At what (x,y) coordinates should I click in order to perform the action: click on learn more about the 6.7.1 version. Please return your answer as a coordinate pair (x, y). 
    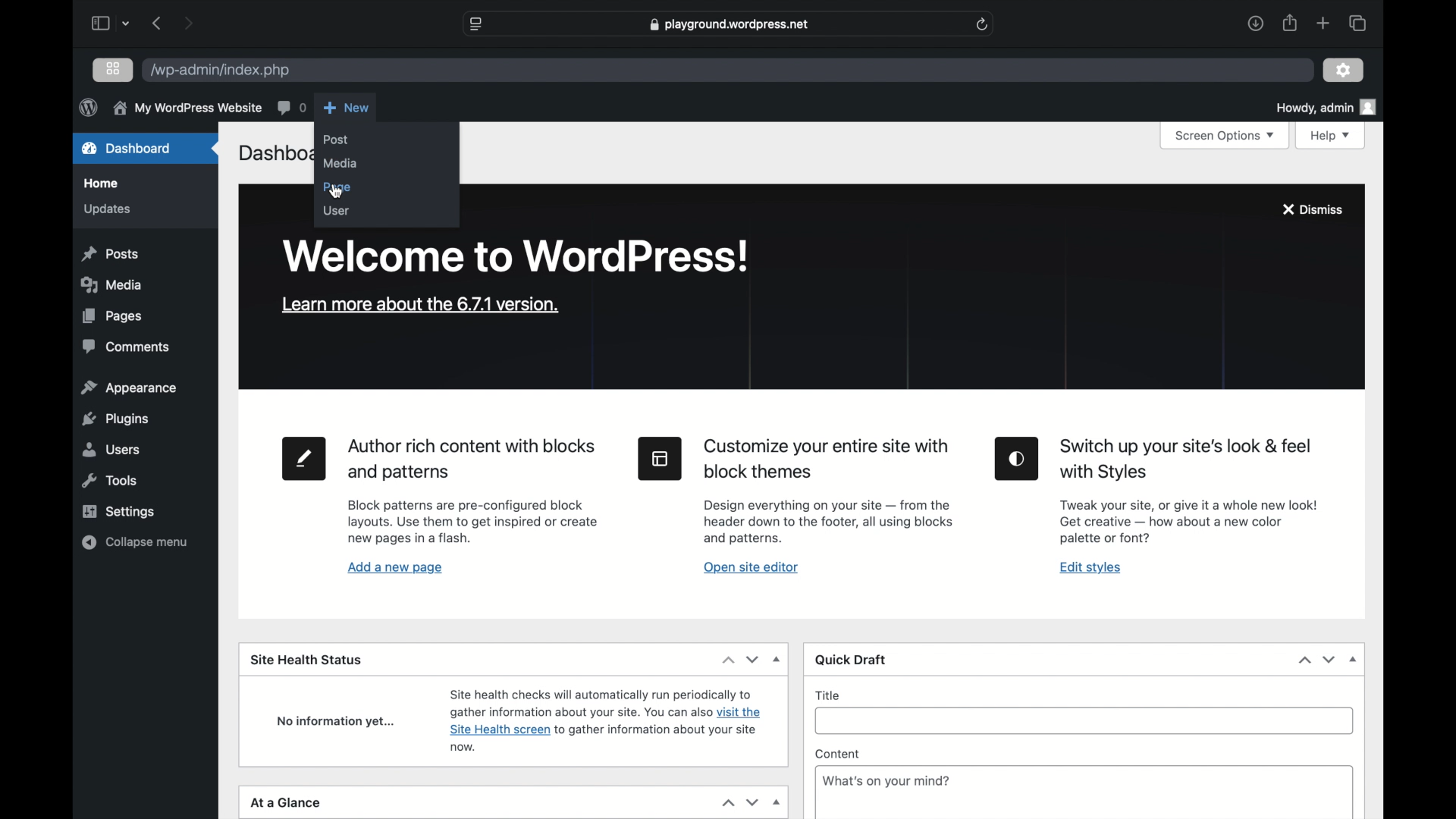
    Looking at the image, I should click on (420, 305).